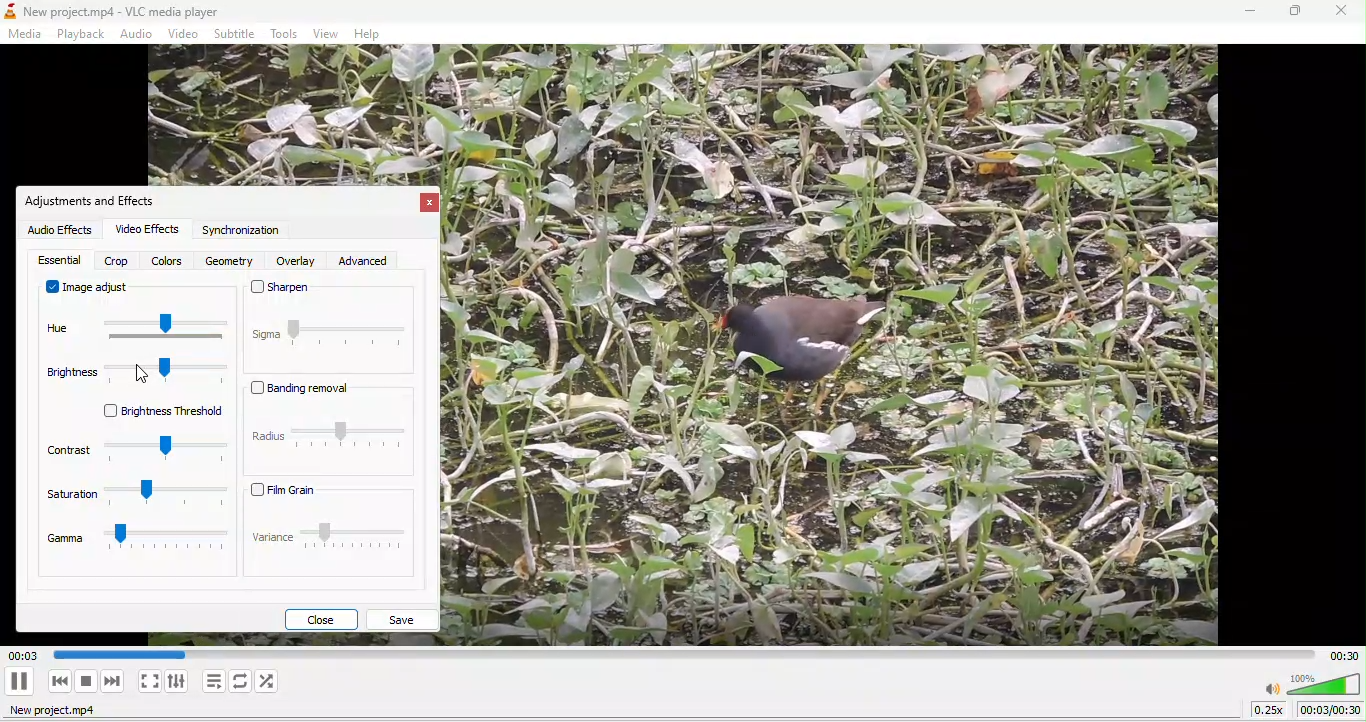  What do you see at coordinates (59, 260) in the screenshot?
I see `equalzer` at bounding box center [59, 260].